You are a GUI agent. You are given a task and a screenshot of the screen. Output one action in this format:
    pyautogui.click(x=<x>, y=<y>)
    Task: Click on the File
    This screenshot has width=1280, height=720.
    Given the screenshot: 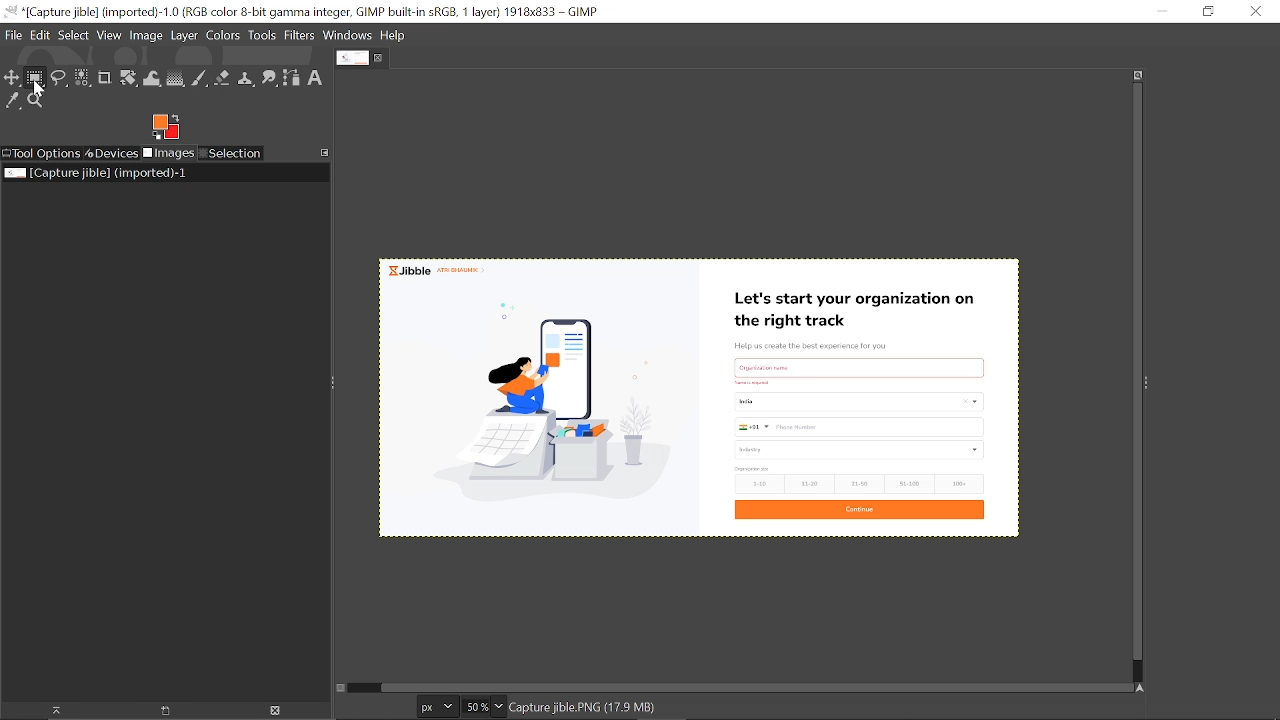 What is the action you would take?
    pyautogui.click(x=12, y=37)
    